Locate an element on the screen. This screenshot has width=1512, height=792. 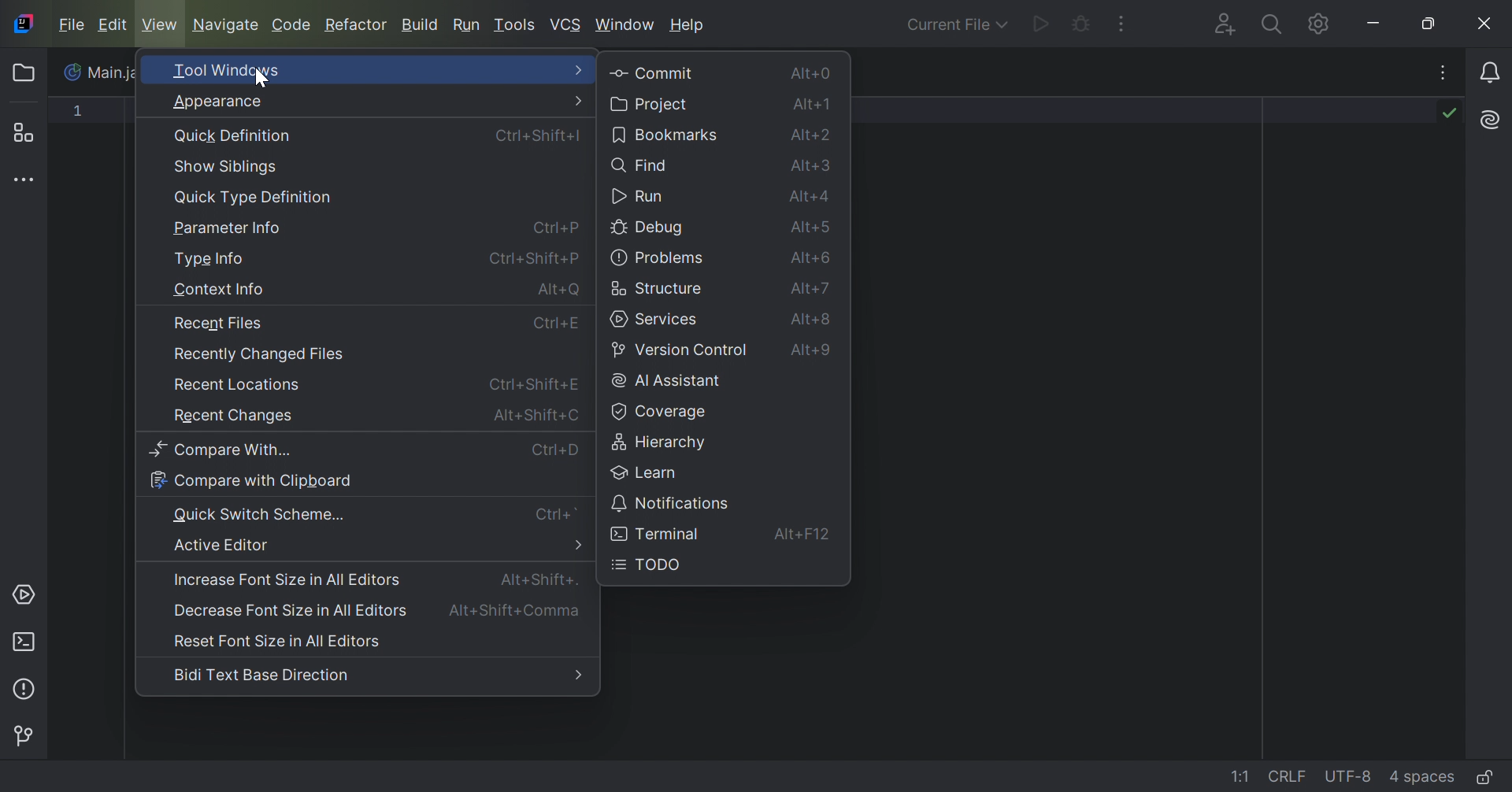
AI Assistant is located at coordinates (669, 381).